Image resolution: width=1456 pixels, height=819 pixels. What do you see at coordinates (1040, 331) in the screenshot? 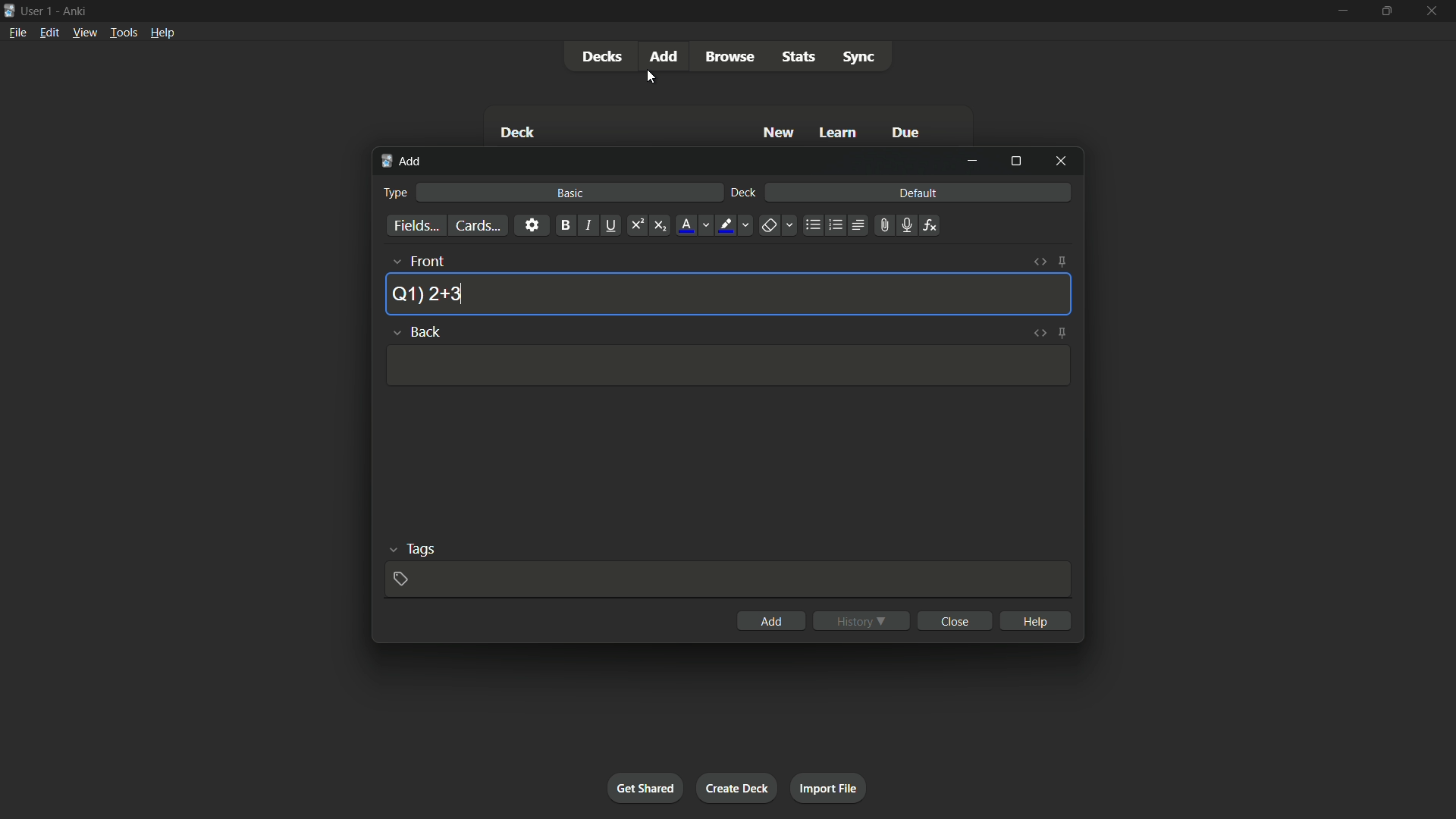
I see `toggle html editor` at bounding box center [1040, 331].